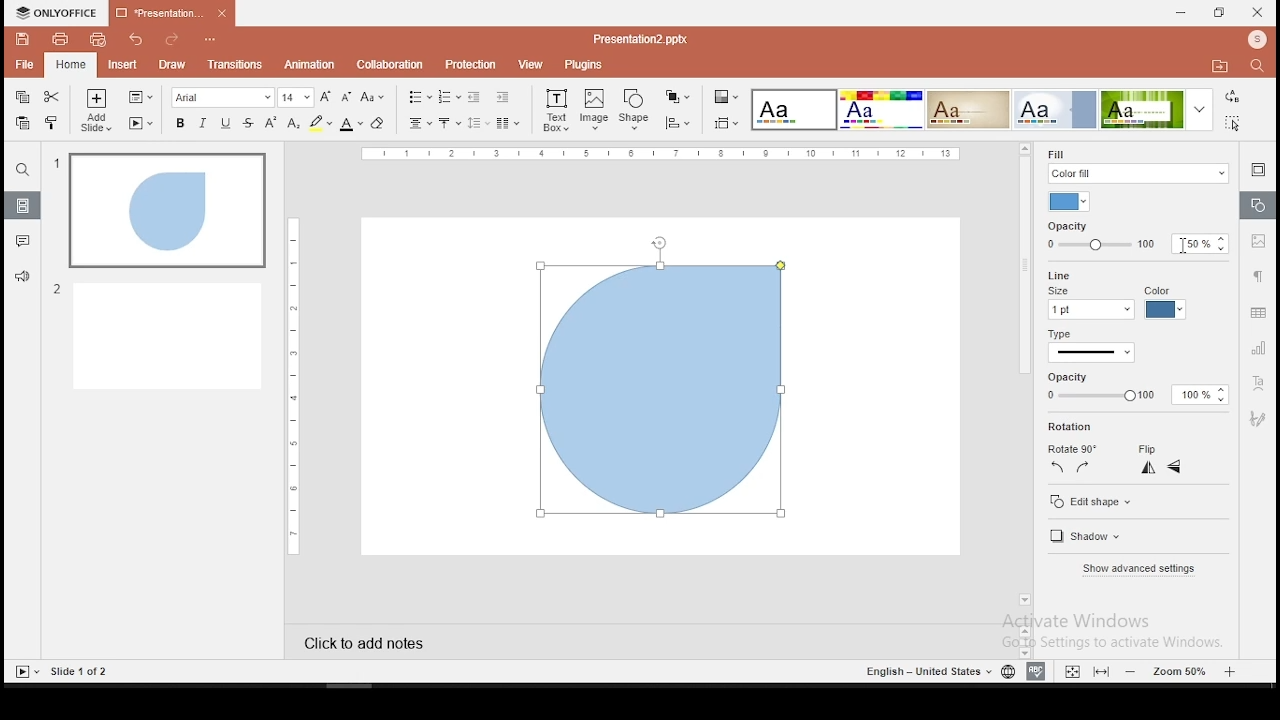 The height and width of the screenshot is (720, 1280). What do you see at coordinates (664, 153) in the screenshot?
I see `horizontal scale` at bounding box center [664, 153].